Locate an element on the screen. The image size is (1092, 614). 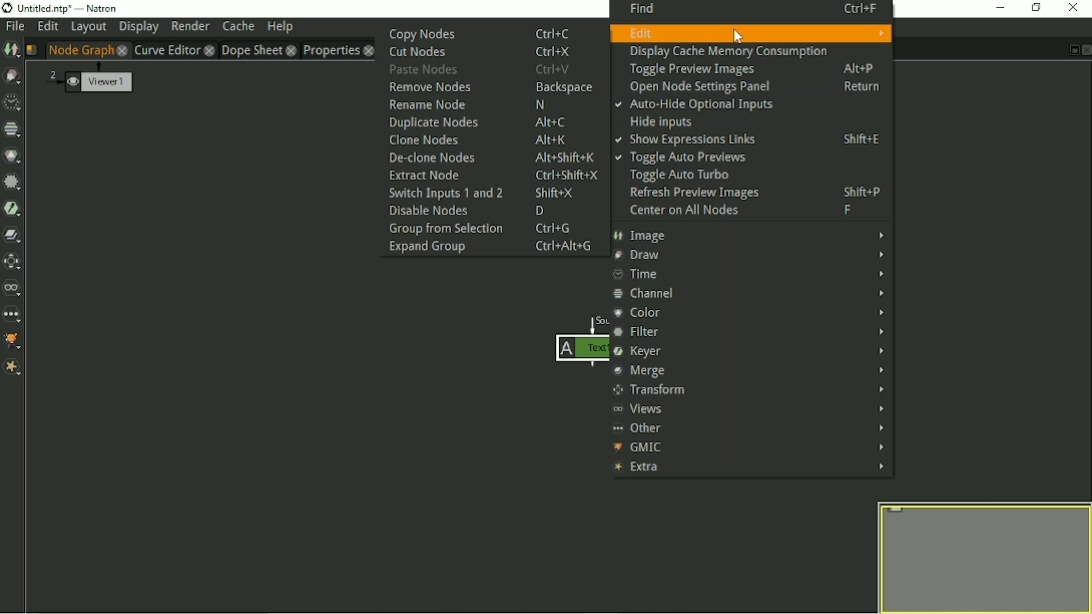
title is located at coordinates (69, 10).